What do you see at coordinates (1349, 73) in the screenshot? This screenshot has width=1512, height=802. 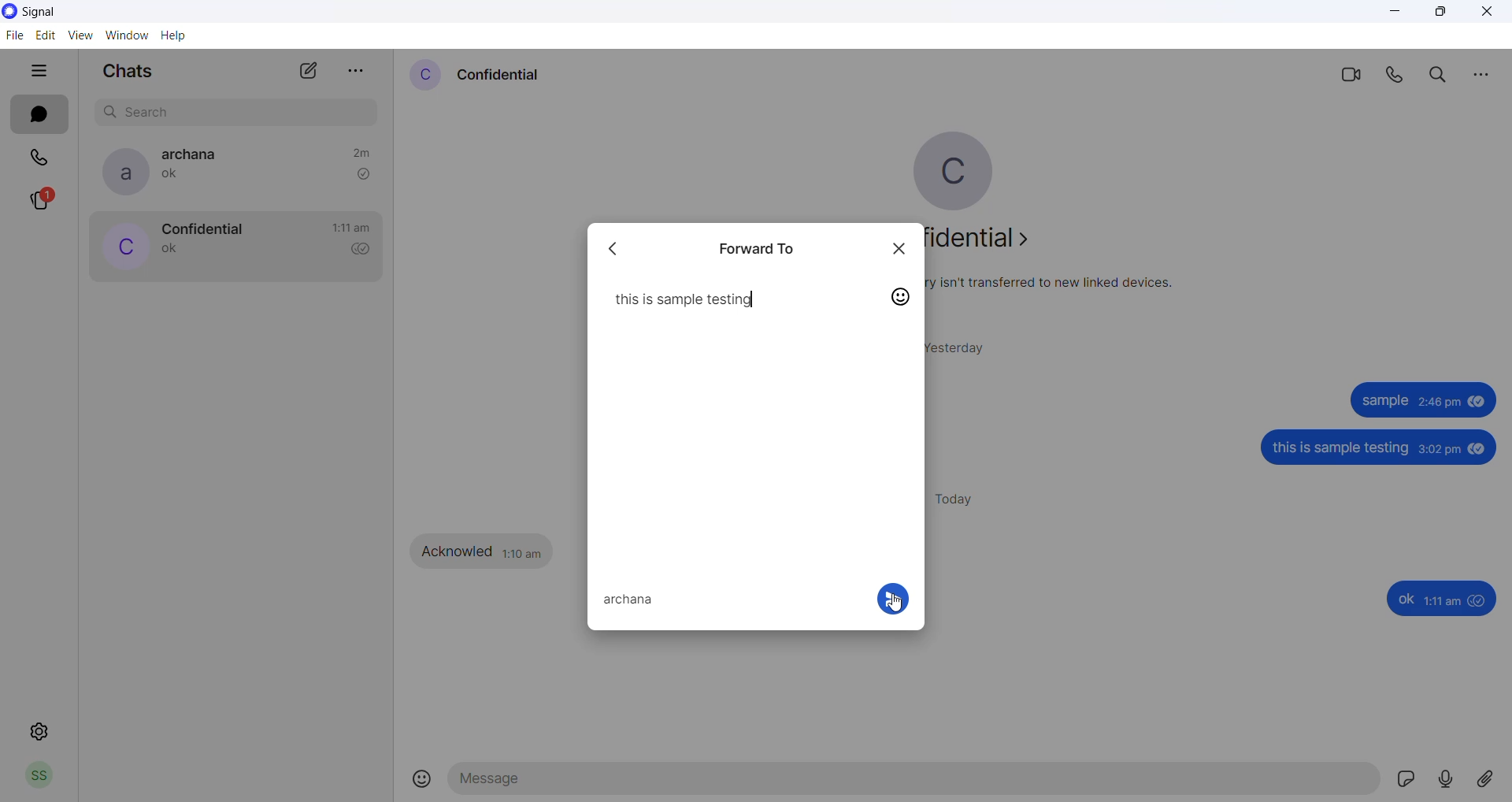 I see `video call` at bounding box center [1349, 73].